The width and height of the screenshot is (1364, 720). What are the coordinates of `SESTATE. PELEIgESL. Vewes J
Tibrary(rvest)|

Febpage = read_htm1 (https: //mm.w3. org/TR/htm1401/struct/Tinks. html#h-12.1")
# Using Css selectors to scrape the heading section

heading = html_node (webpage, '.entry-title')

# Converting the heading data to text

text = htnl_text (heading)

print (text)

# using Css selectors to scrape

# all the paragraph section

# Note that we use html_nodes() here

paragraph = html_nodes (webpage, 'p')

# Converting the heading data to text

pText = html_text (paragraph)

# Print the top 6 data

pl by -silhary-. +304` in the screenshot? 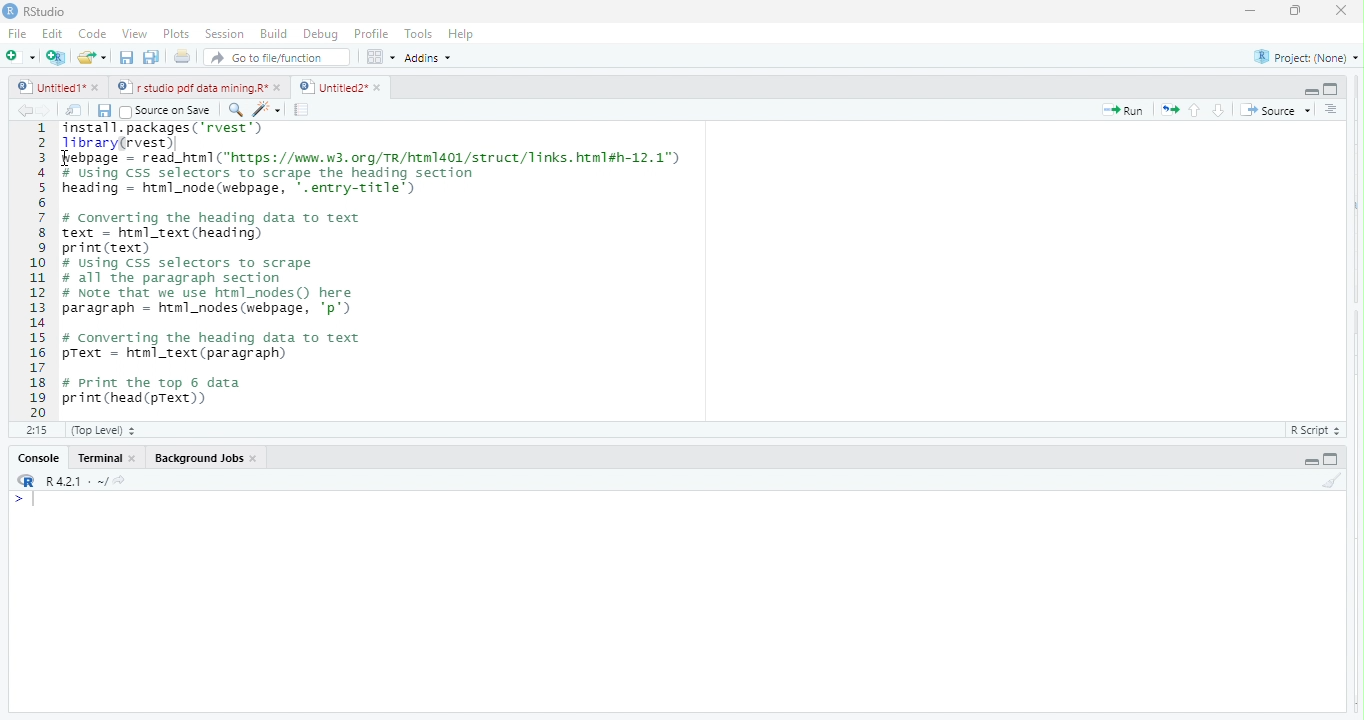 It's located at (440, 268).